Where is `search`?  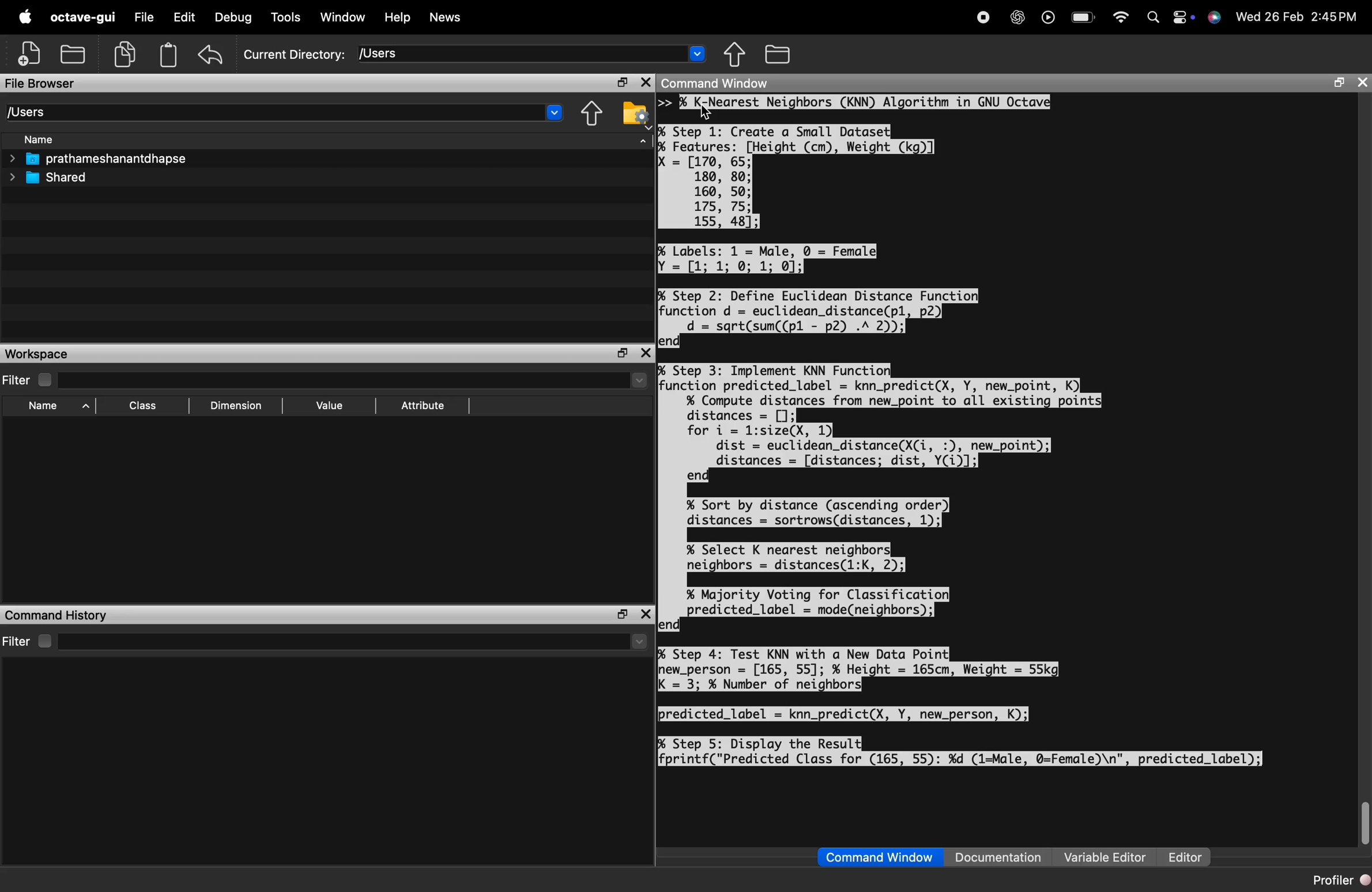 search is located at coordinates (1148, 18).